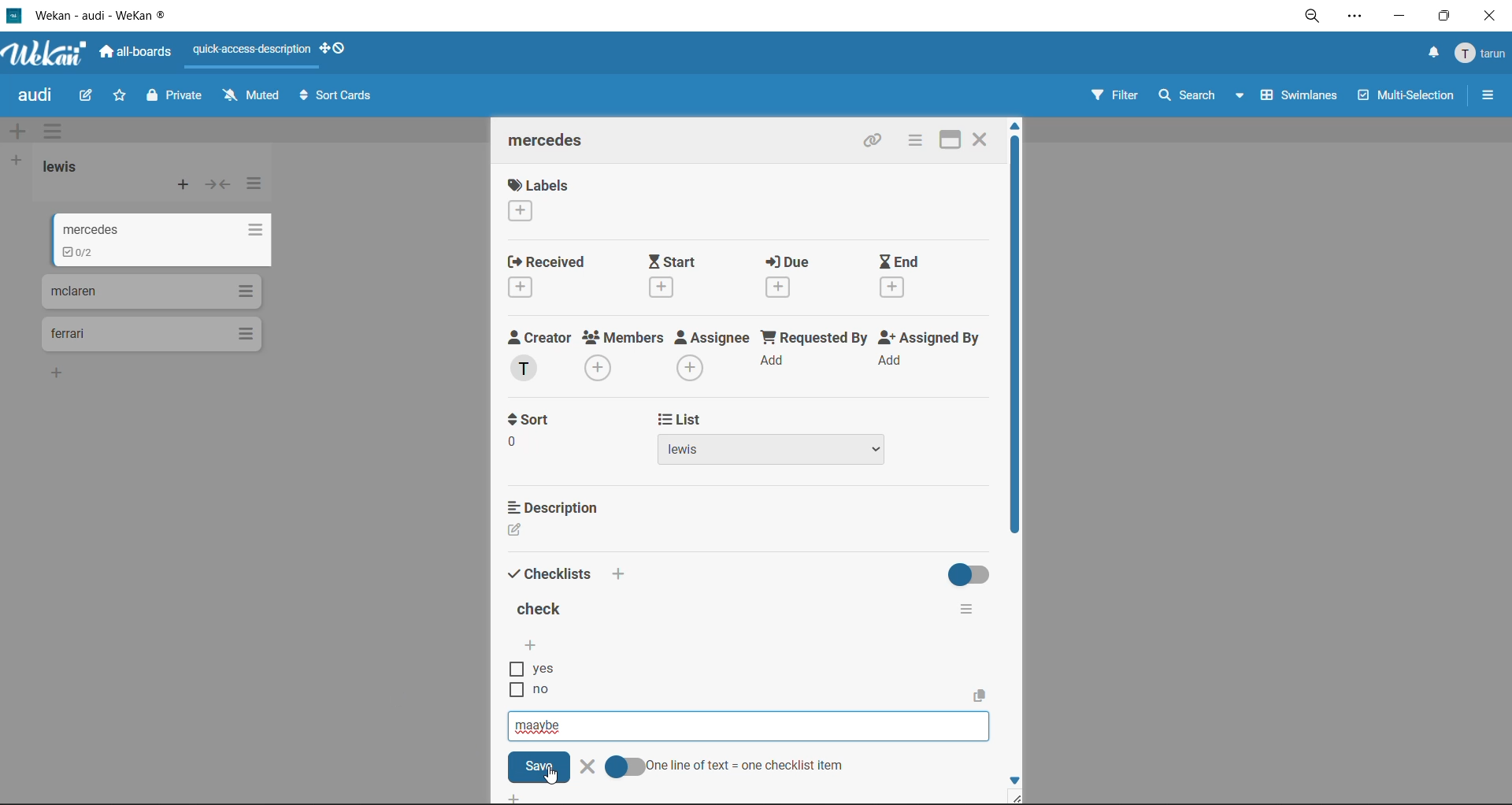 This screenshot has width=1512, height=805. I want to click on hide completed checklists, so click(973, 573).